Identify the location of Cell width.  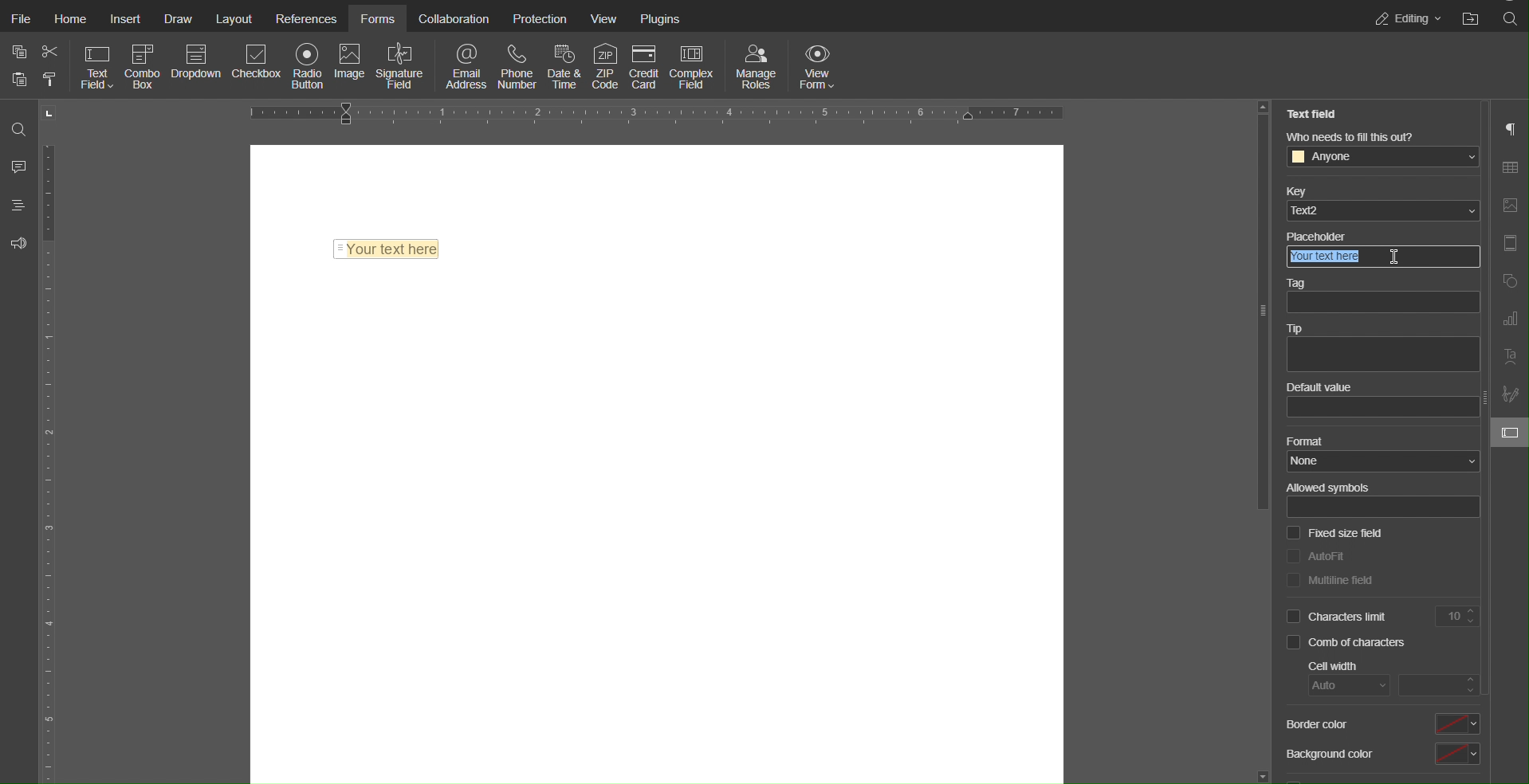
(1389, 678).